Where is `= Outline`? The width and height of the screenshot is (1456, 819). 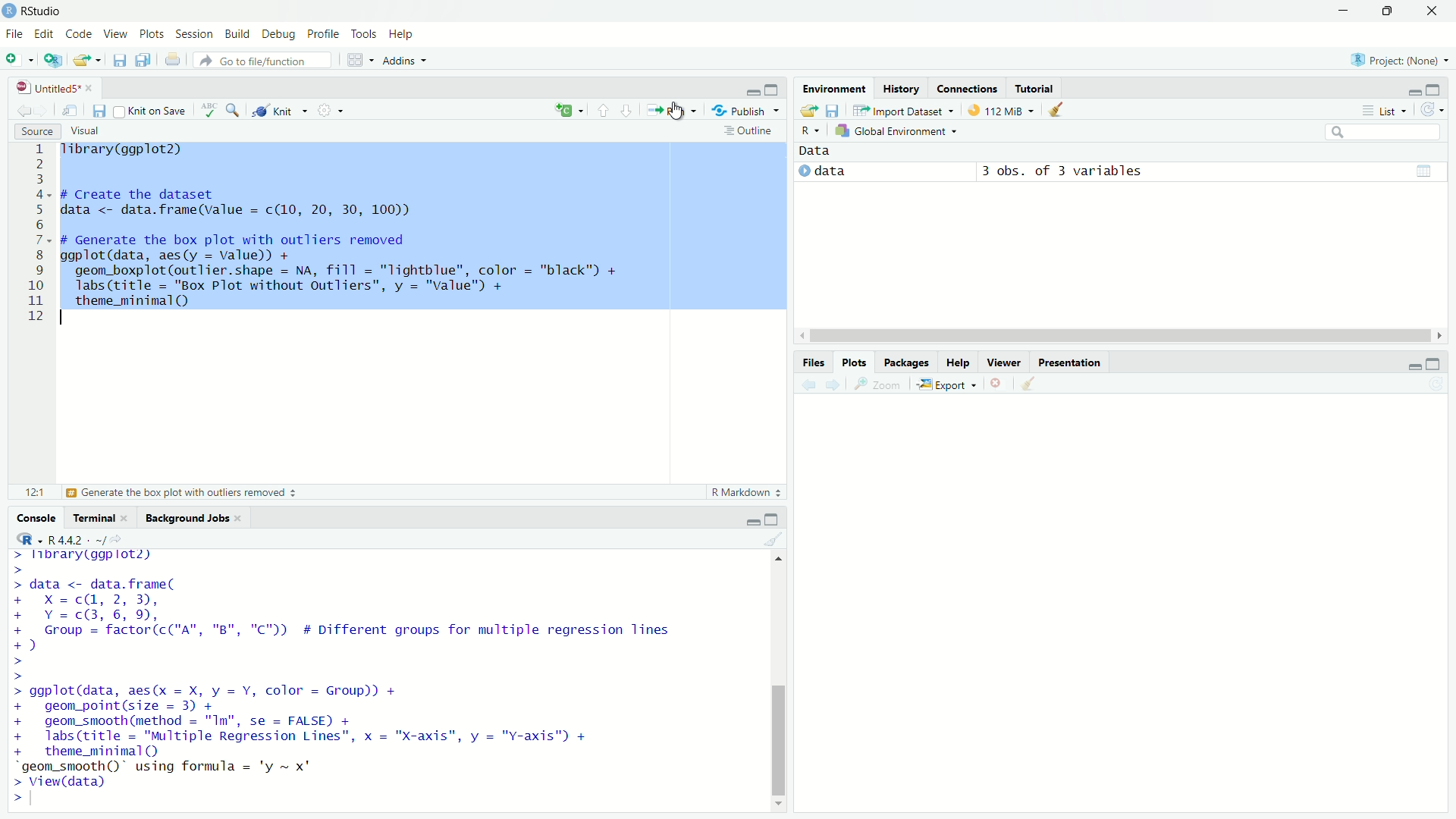
= Outline is located at coordinates (748, 130).